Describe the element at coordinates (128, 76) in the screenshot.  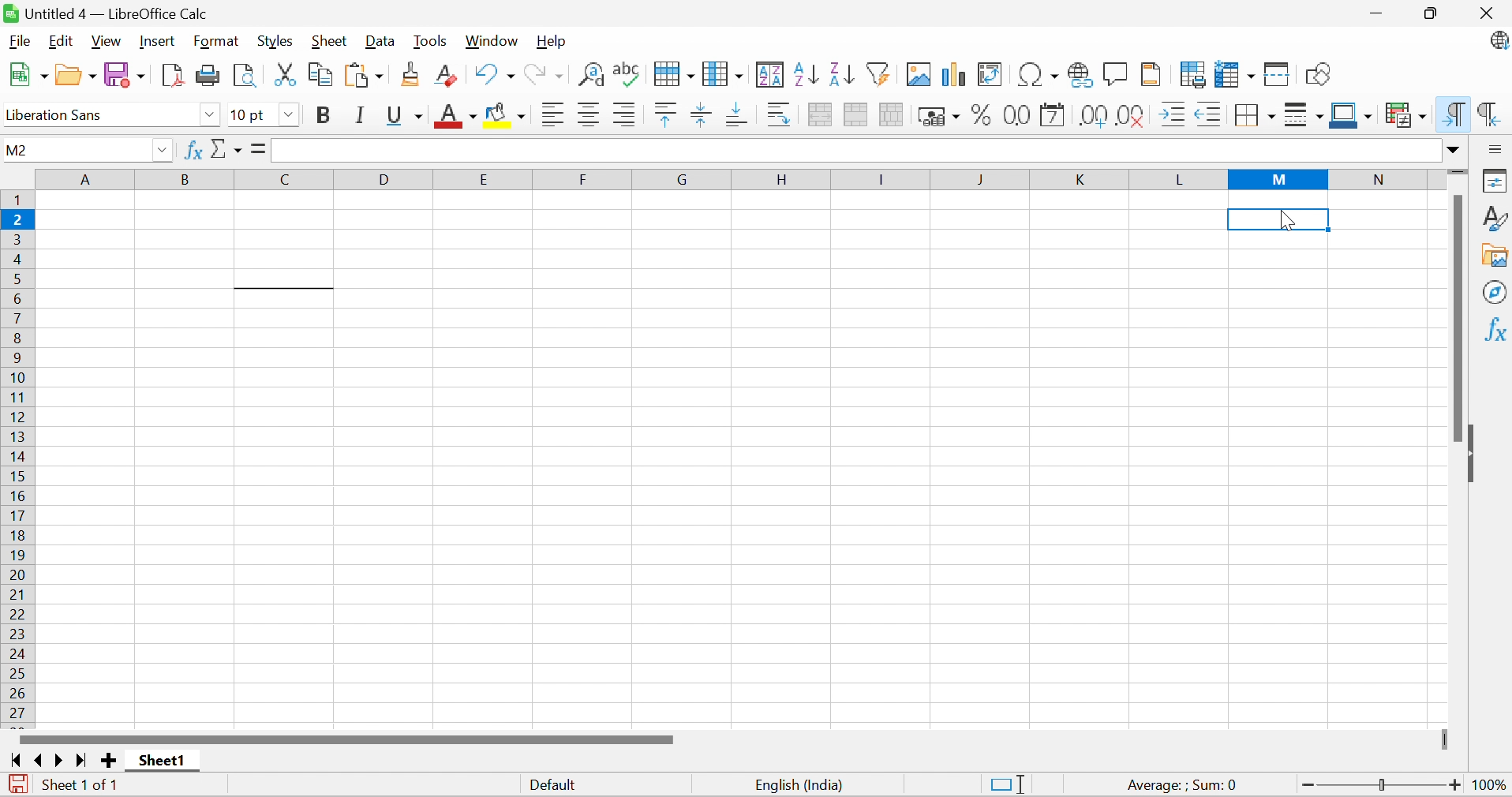
I see `Save` at that location.